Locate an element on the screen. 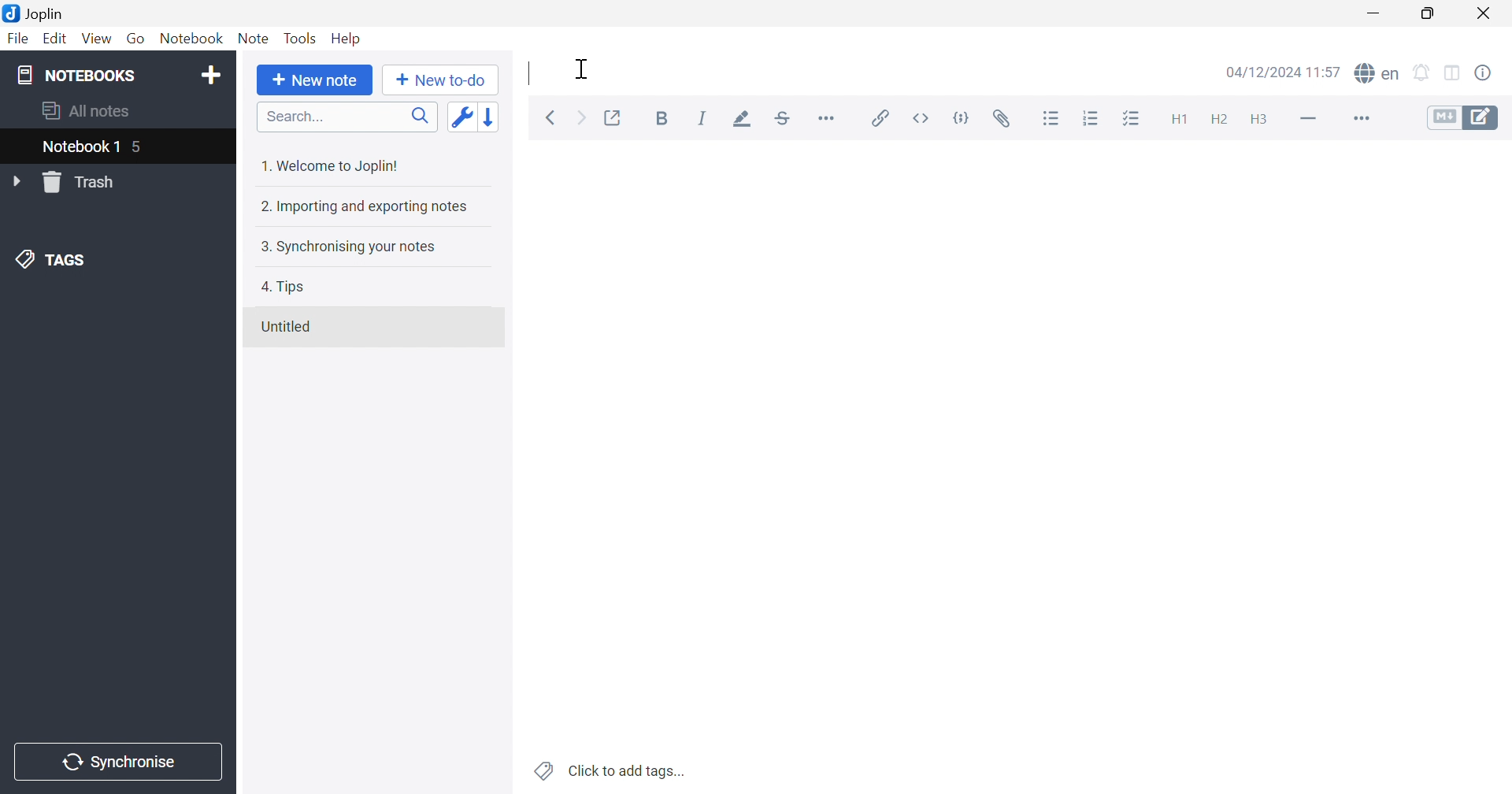  Attach file is located at coordinates (1006, 121).